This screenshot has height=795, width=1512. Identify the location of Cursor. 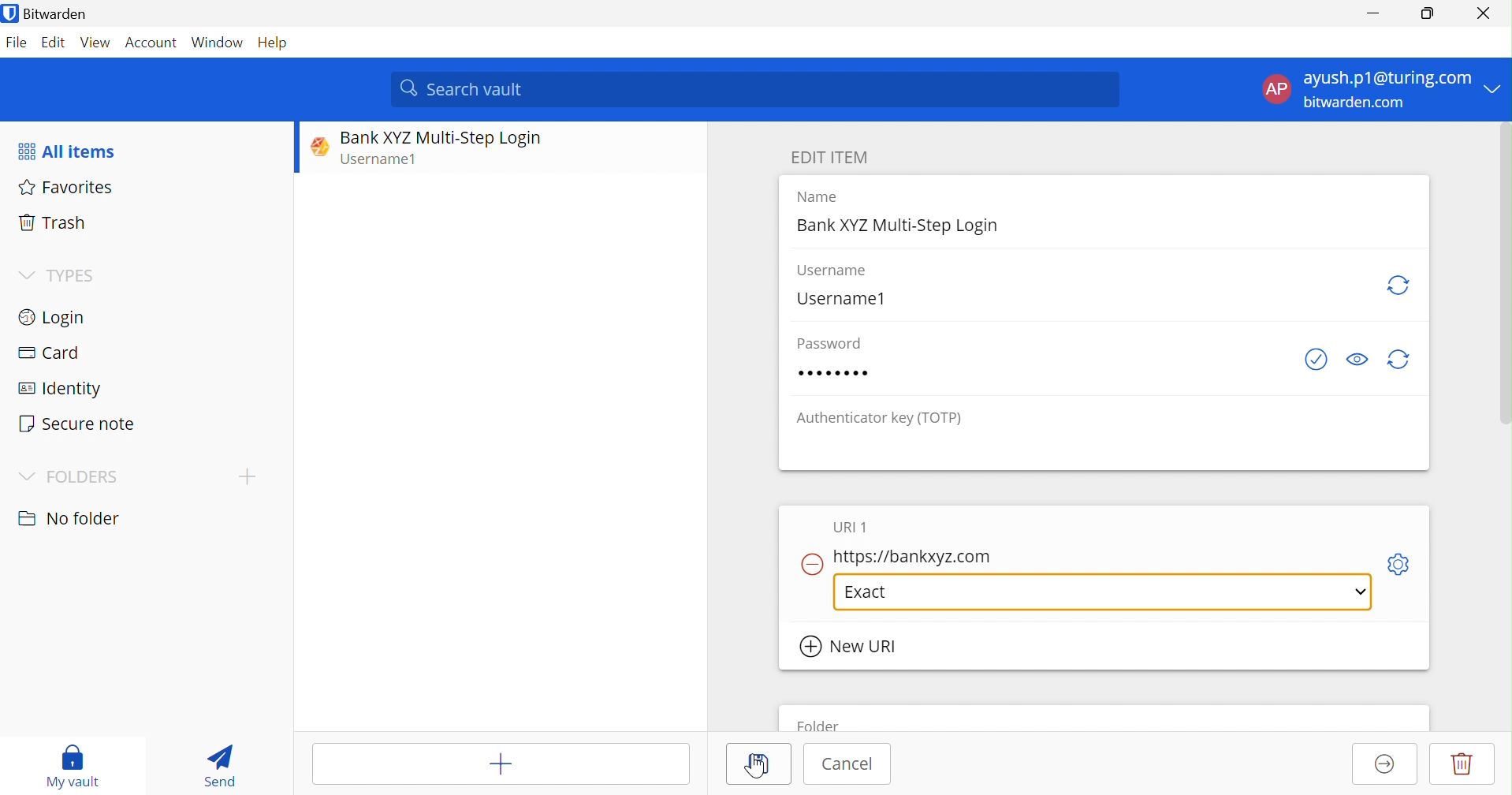
(758, 768).